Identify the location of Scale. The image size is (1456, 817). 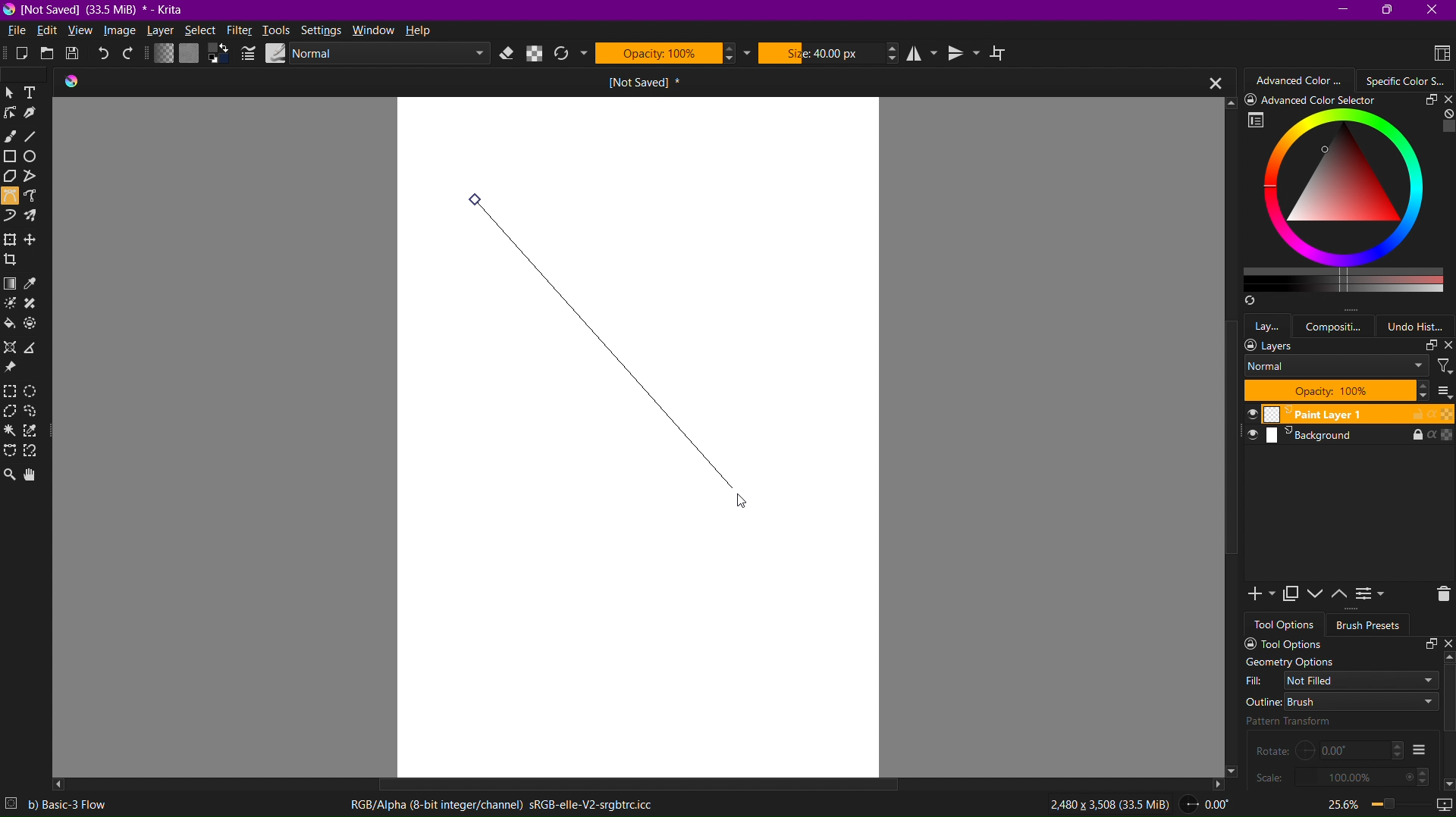
(1341, 777).